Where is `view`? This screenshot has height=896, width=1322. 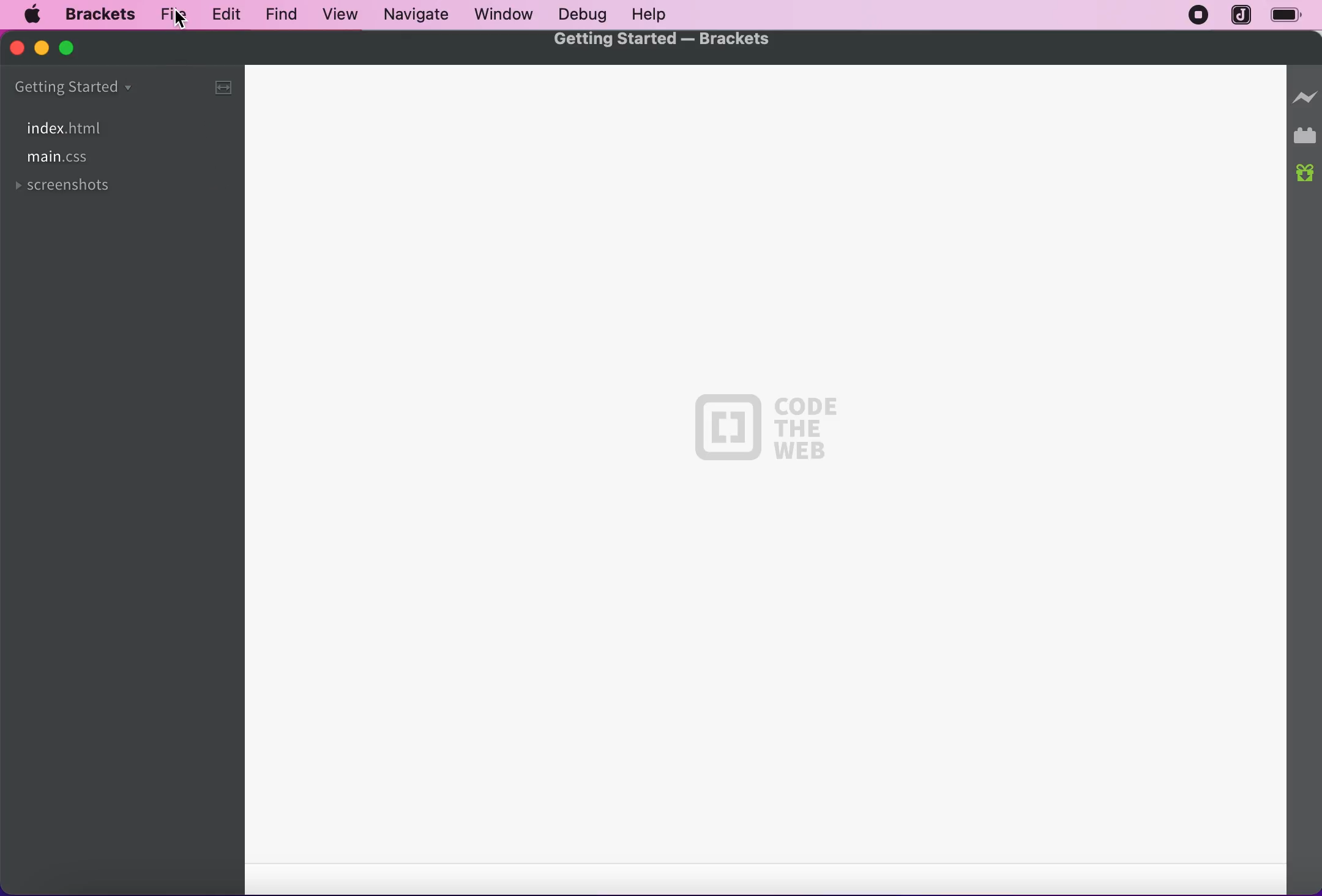
view is located at coordinates (336, 15).